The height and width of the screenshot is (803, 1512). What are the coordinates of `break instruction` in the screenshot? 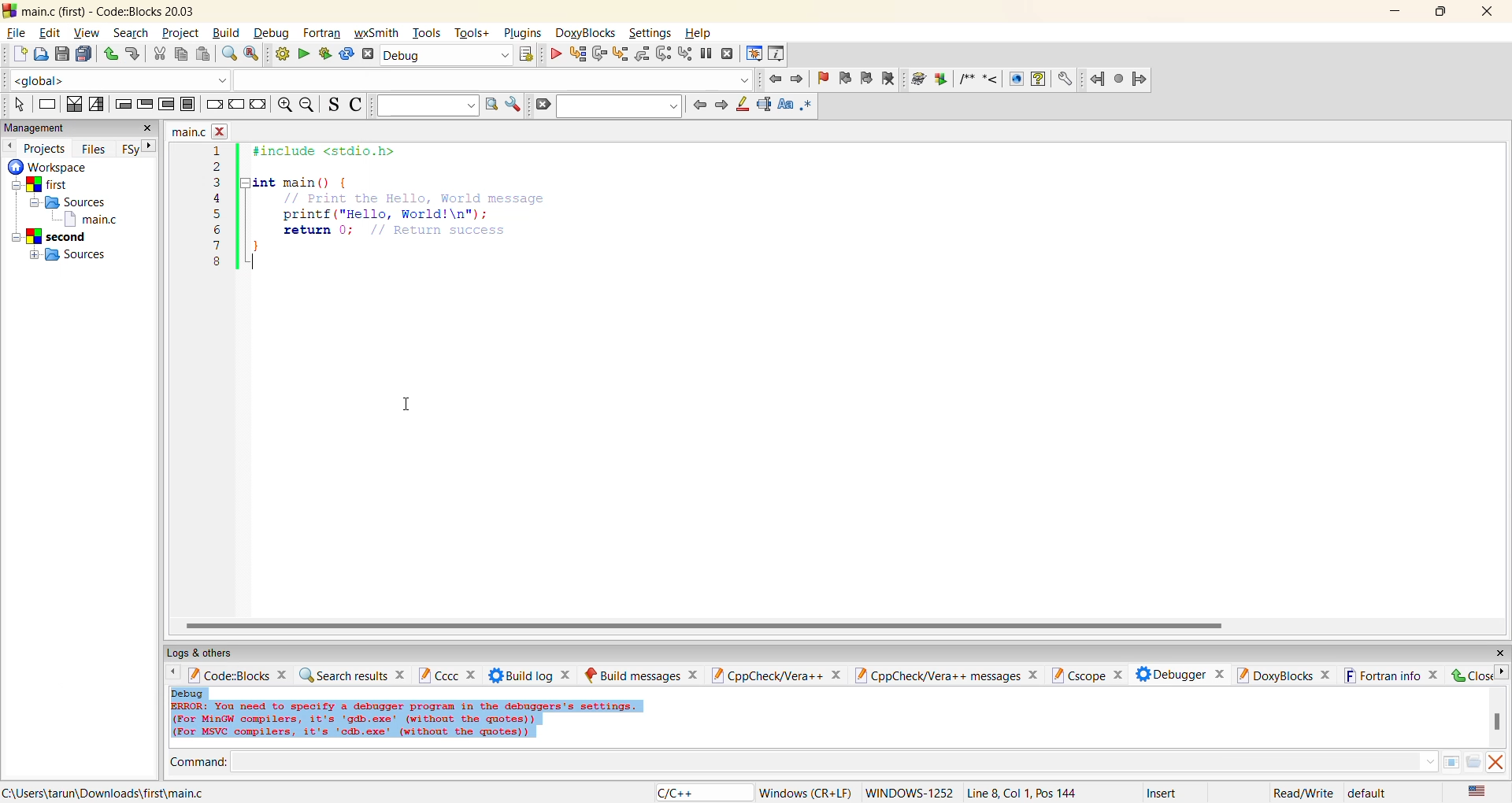 It's located at (211, 105).